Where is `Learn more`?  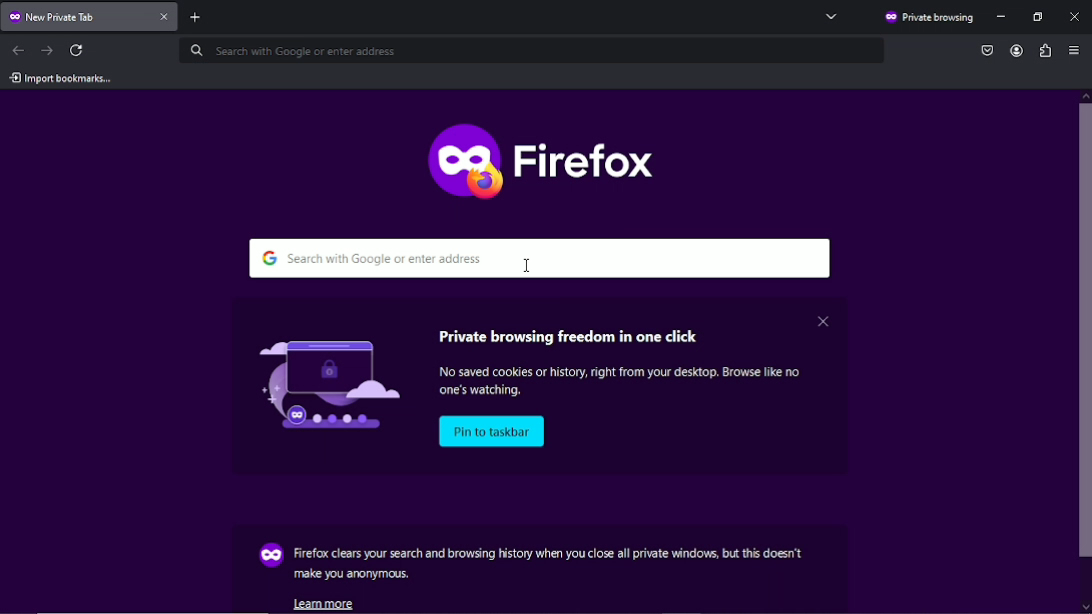 Learn more is located at coordinates (329, 603).